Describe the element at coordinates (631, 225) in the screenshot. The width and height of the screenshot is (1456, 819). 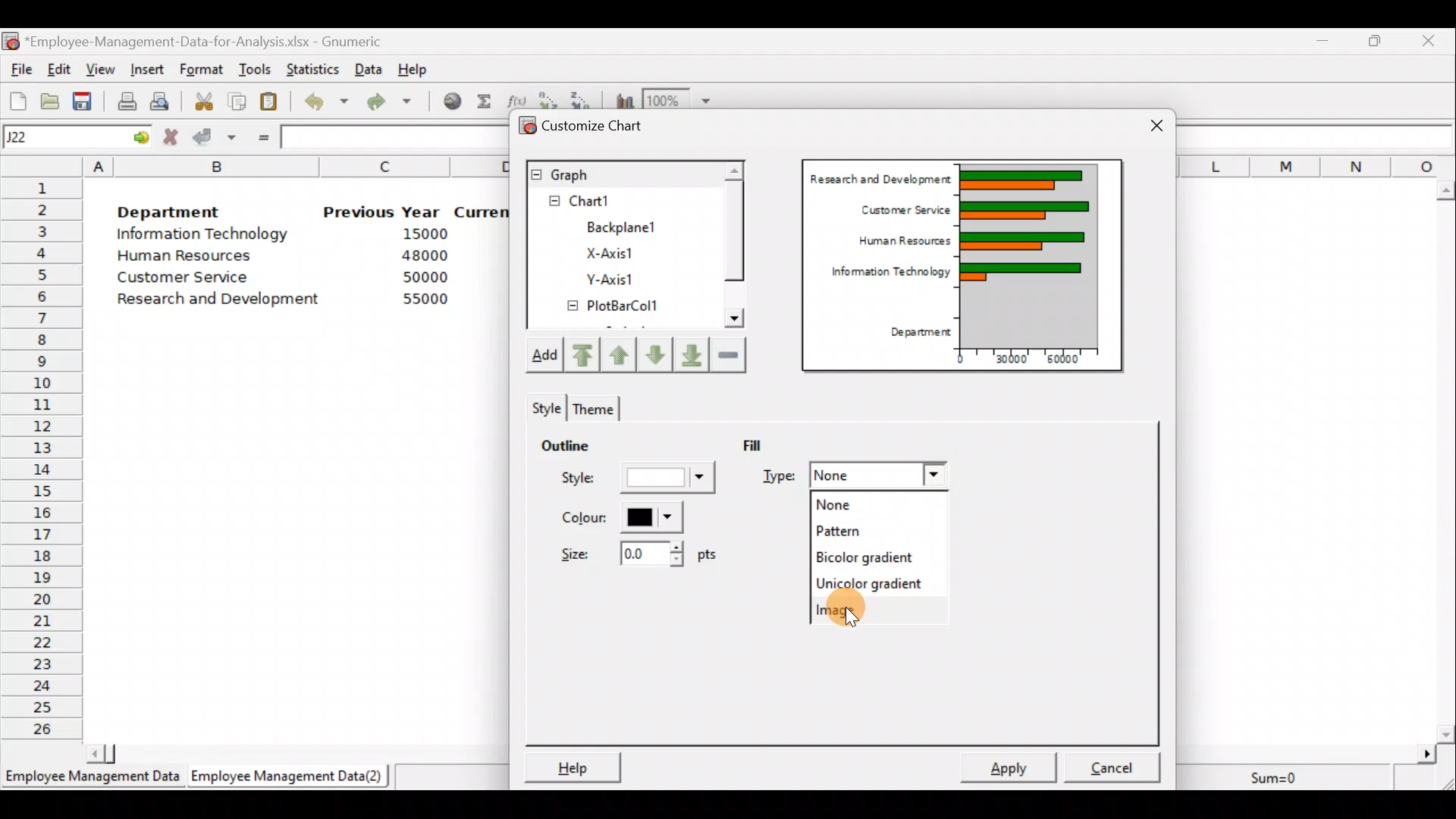
I see `BackPlane1` at that location.